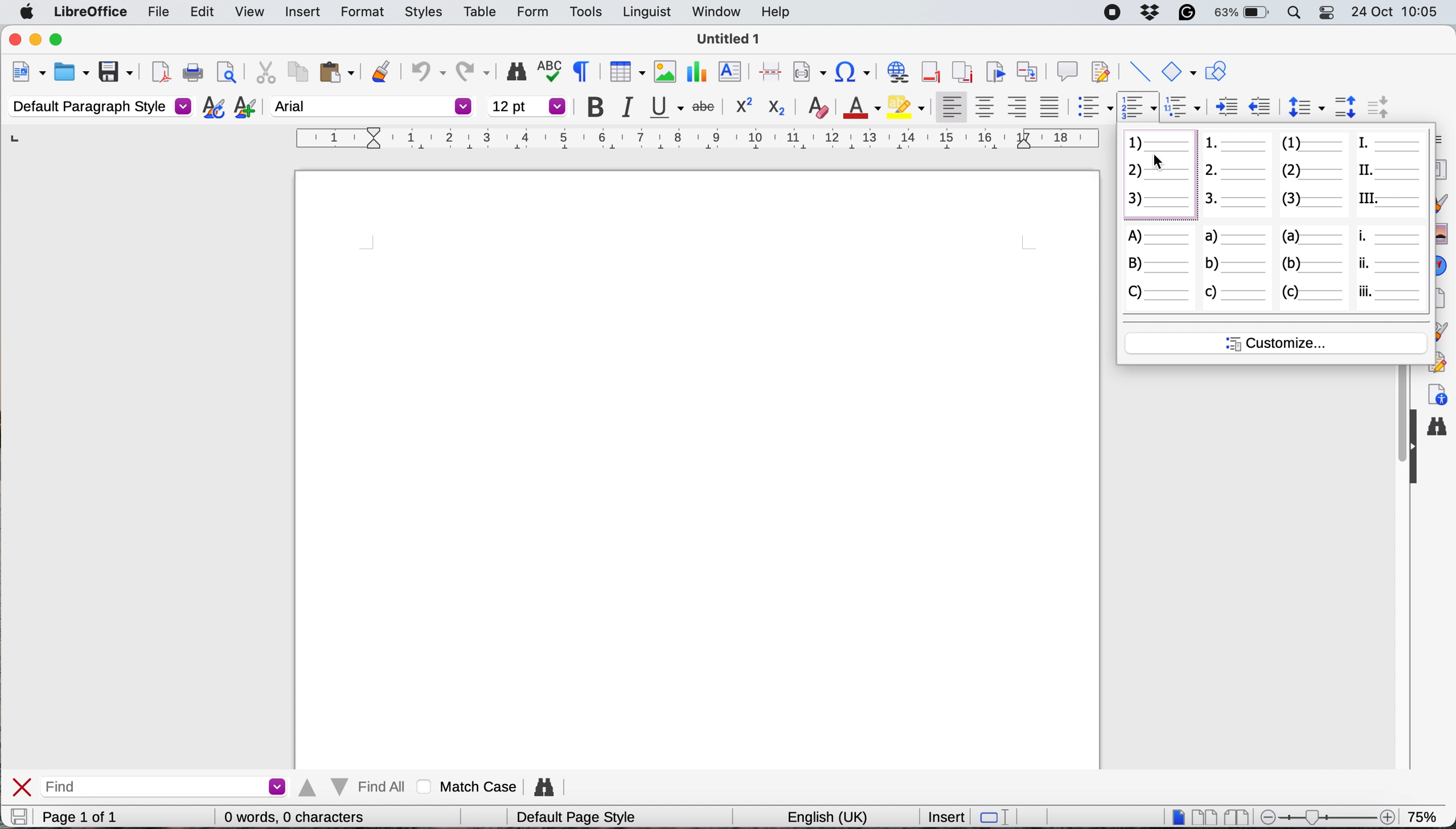 The image size is (1456, 829). Describe the element at coordinates (1157, 270) in the screenshot. I see `uppercase letter` at that location.